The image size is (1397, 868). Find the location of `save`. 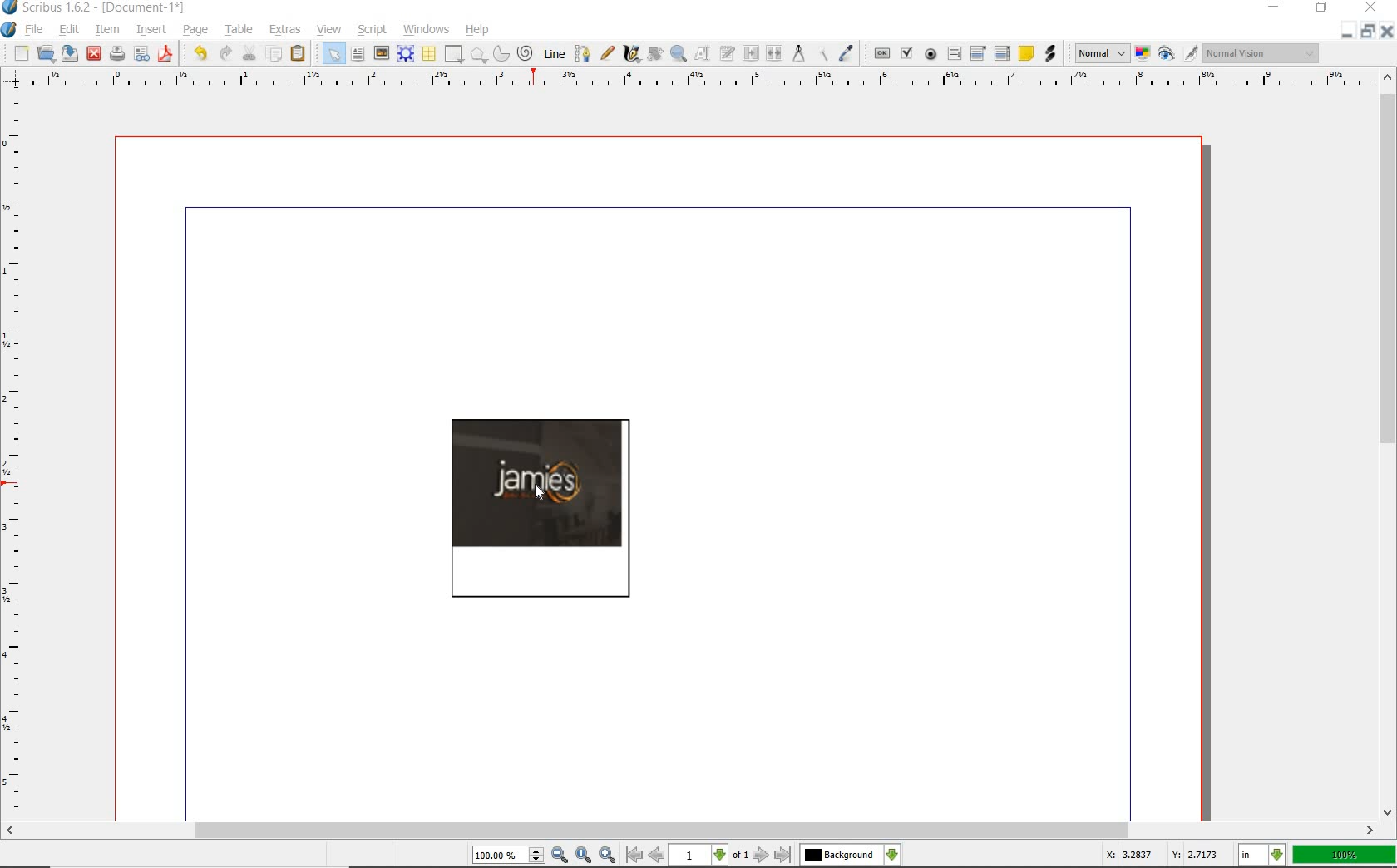

save is located at coordinates (71, 53).